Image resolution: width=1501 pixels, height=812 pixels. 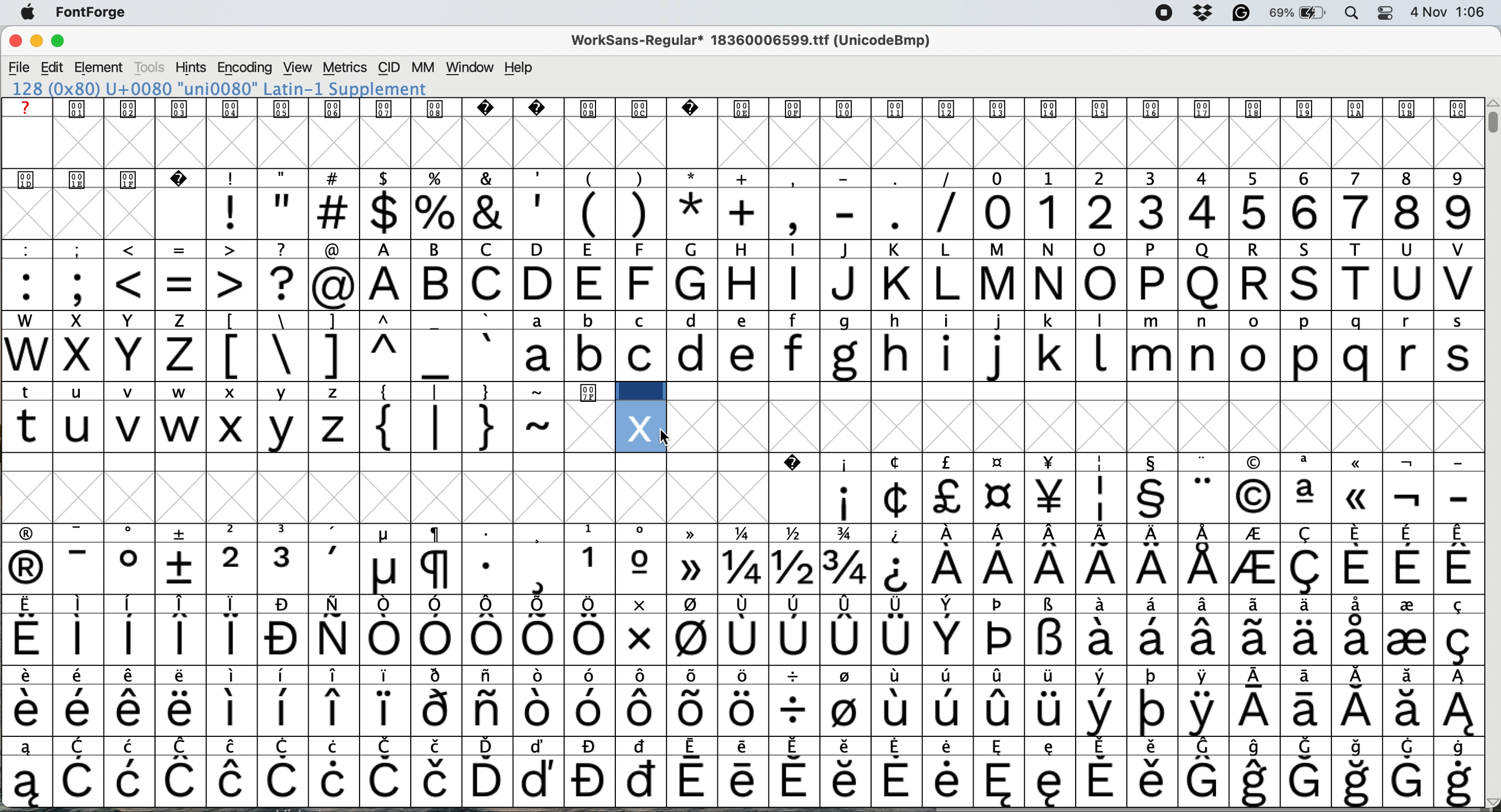 What do you see at coordinates (747, 178) in the screenshot?
I see `special characters and text` at bounding box center [747, 178].